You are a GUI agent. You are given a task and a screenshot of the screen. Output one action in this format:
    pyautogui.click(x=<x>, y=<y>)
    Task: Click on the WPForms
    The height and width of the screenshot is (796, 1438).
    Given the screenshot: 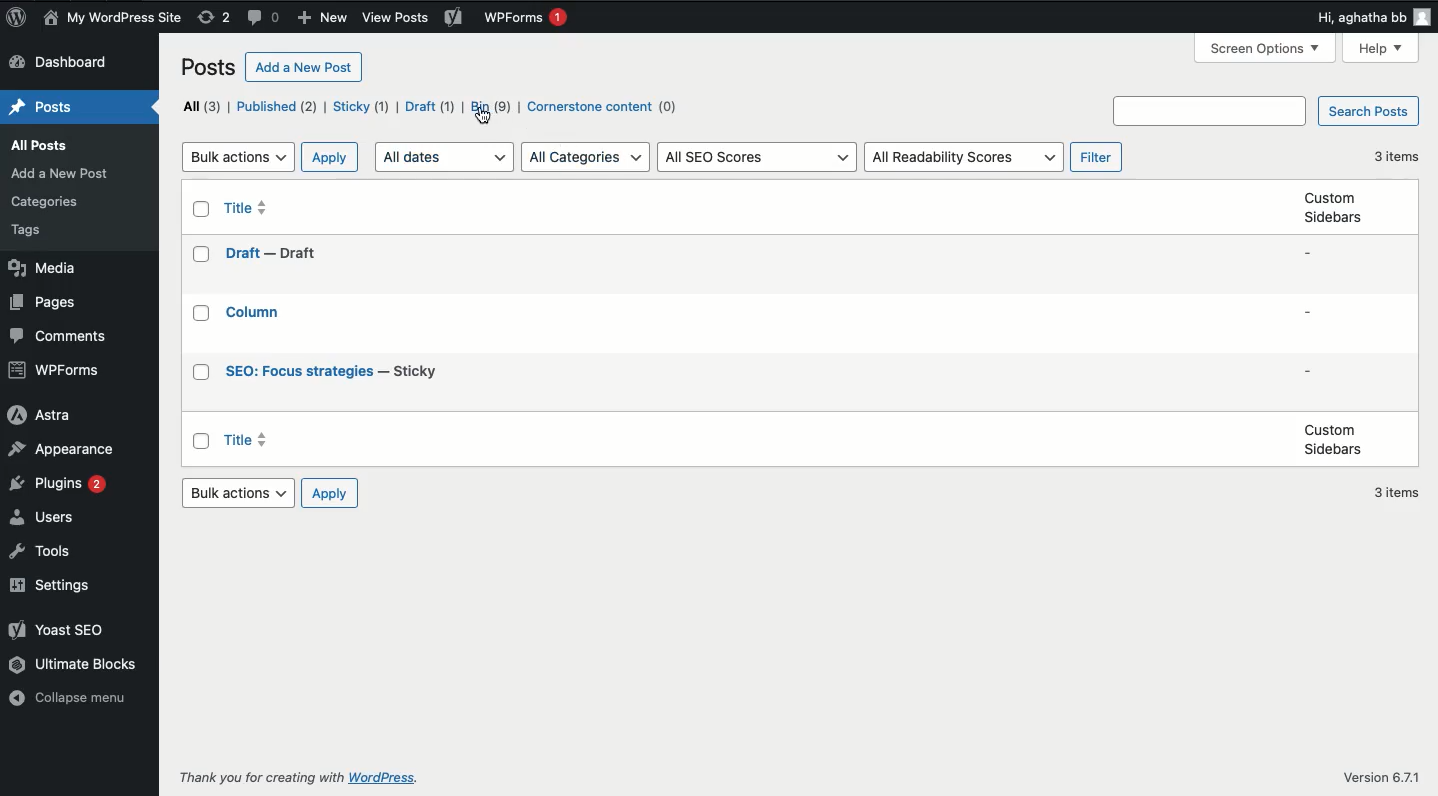 What is the action you would take?
    pyautogui.click(x=526, y=18)
    